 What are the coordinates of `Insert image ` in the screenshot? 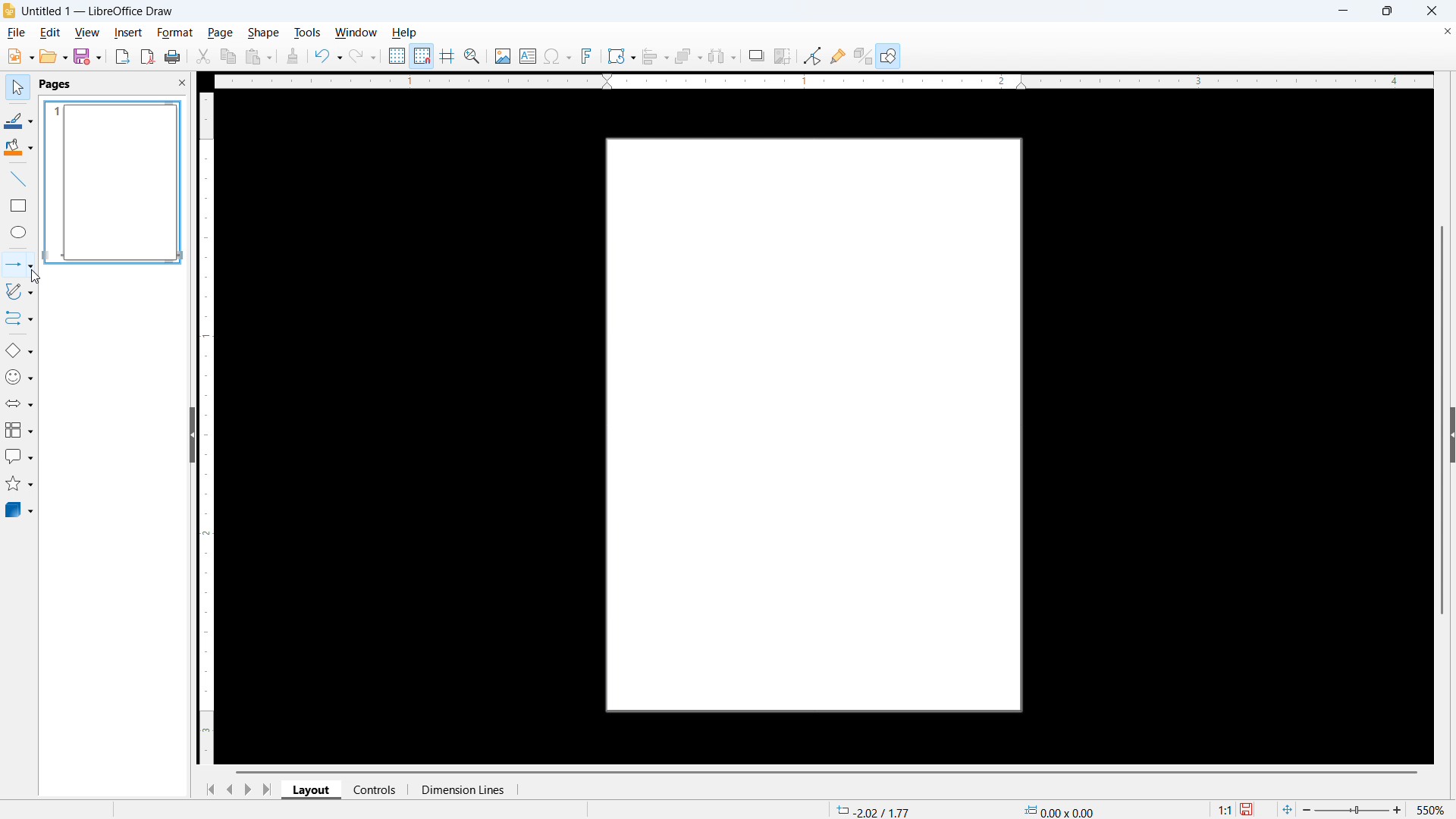 It's located at (504, 56).